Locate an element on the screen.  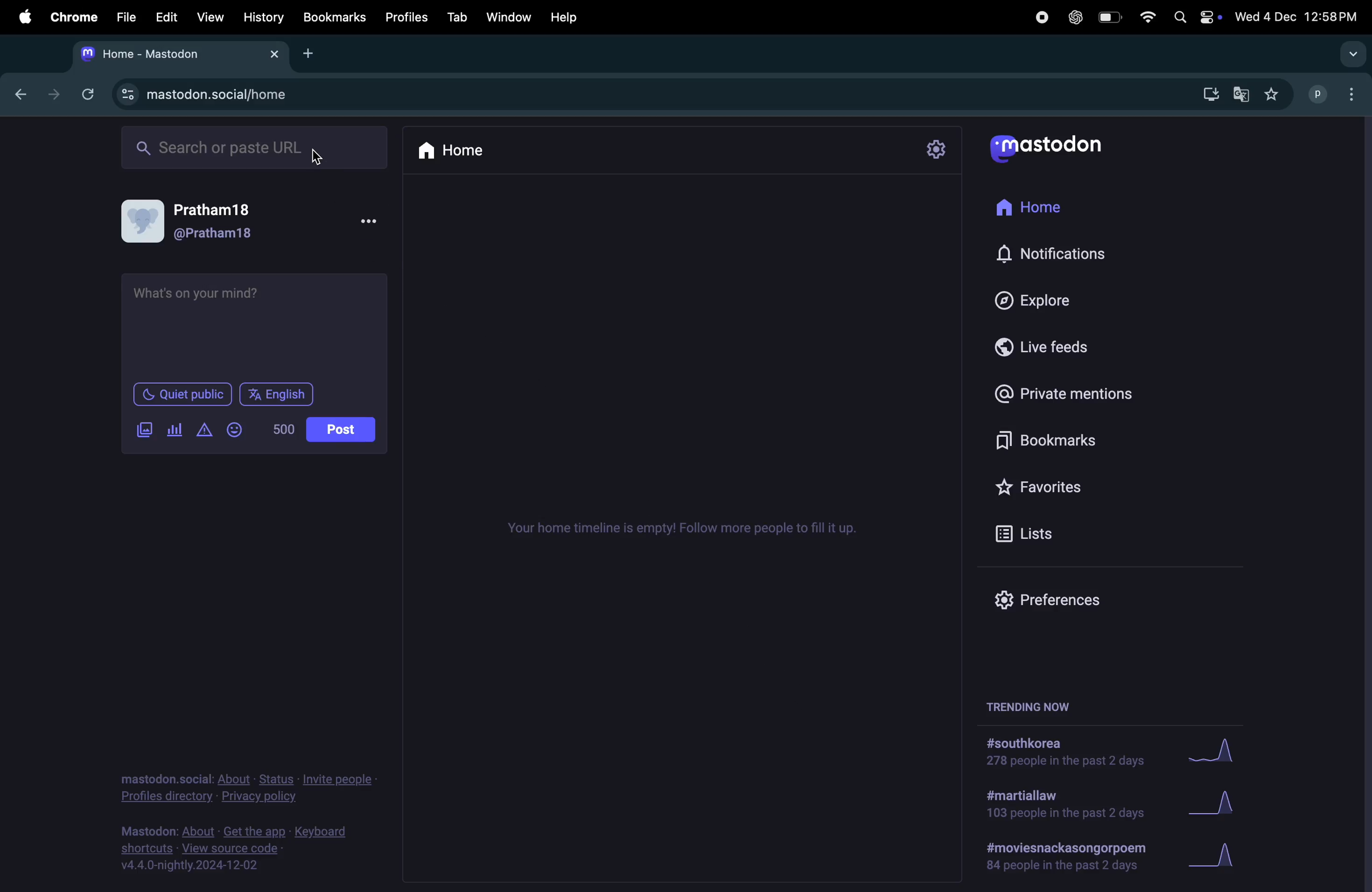
trending now is located at coordinates (1026, 705).